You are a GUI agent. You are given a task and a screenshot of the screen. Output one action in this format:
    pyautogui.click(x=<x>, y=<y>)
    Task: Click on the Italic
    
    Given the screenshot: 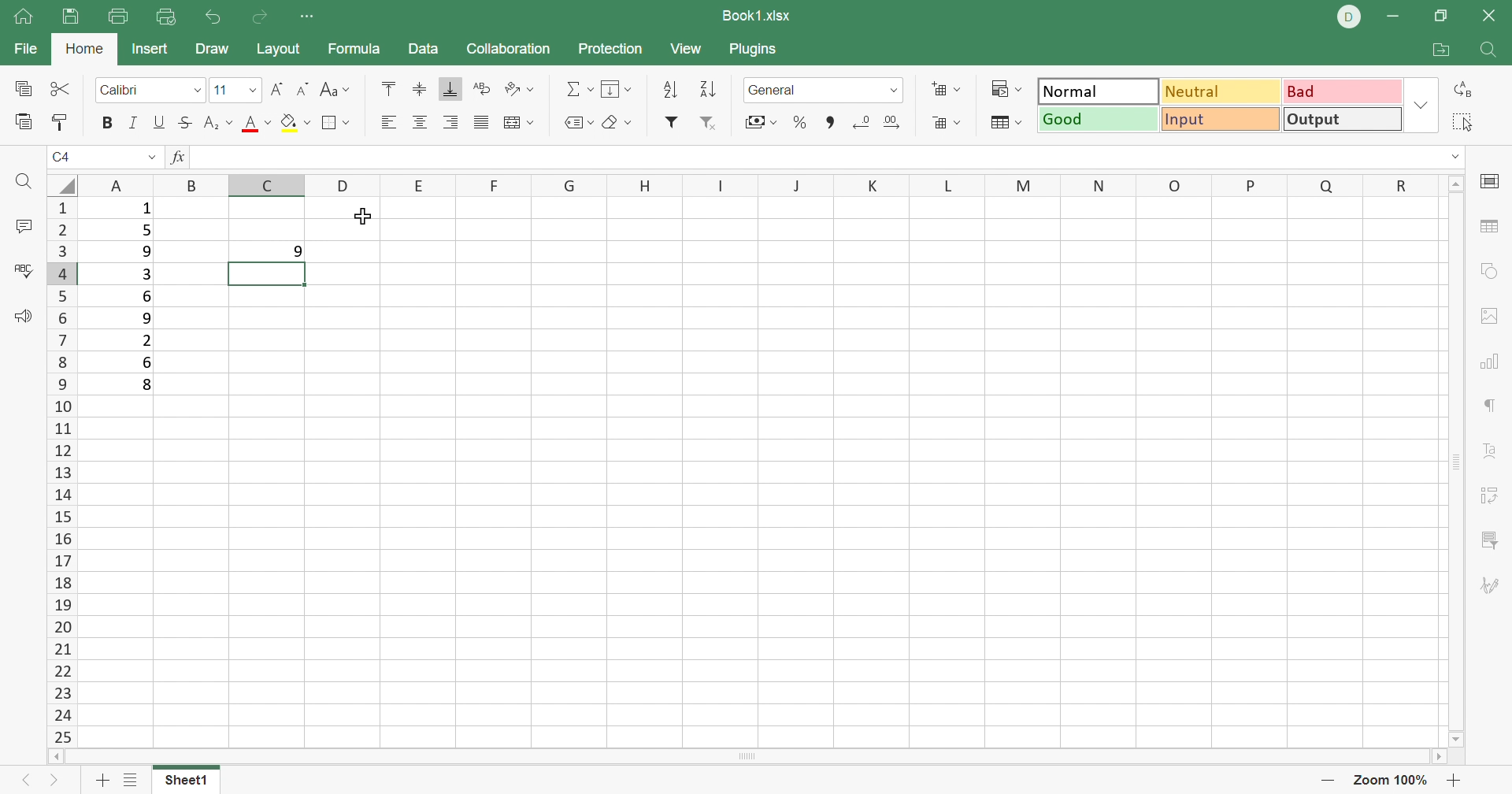 What is the action you would take?
    pyautogui.click(x=133, y=122)
    